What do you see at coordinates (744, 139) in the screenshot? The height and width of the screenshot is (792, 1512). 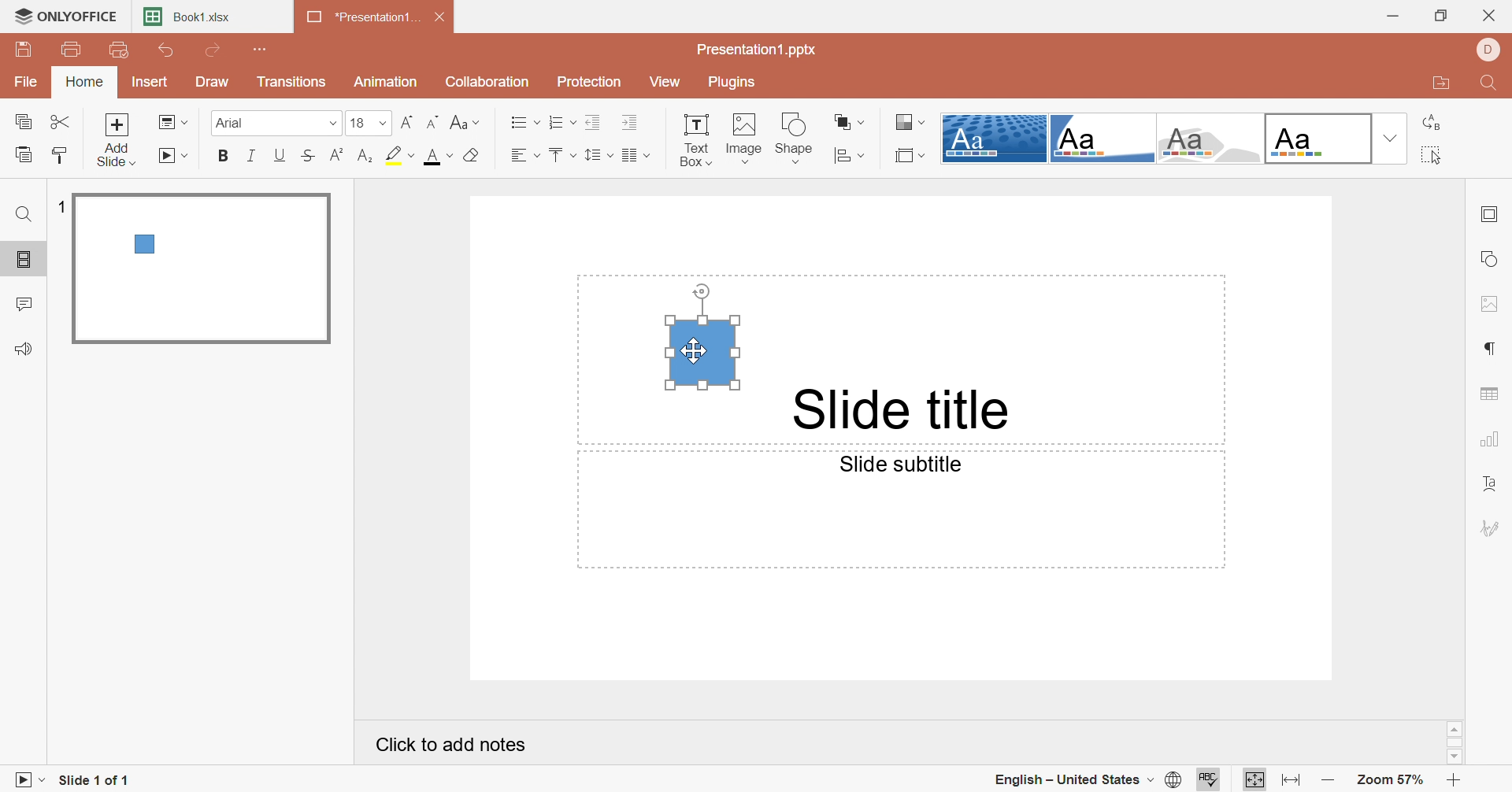 I see `Image` at bounding box center [744, 139].